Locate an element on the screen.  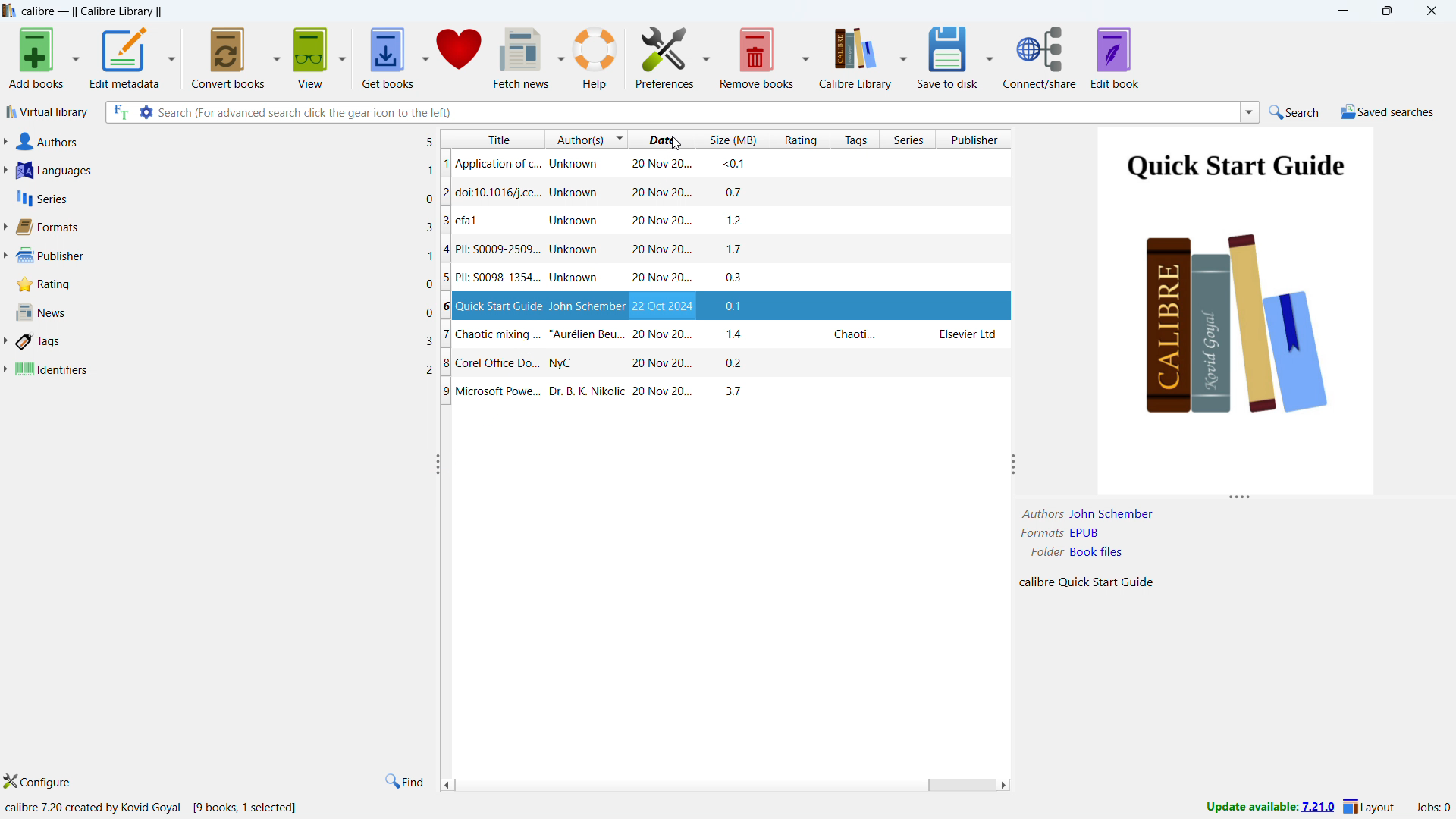
rating is located at coordinates (801, 140).